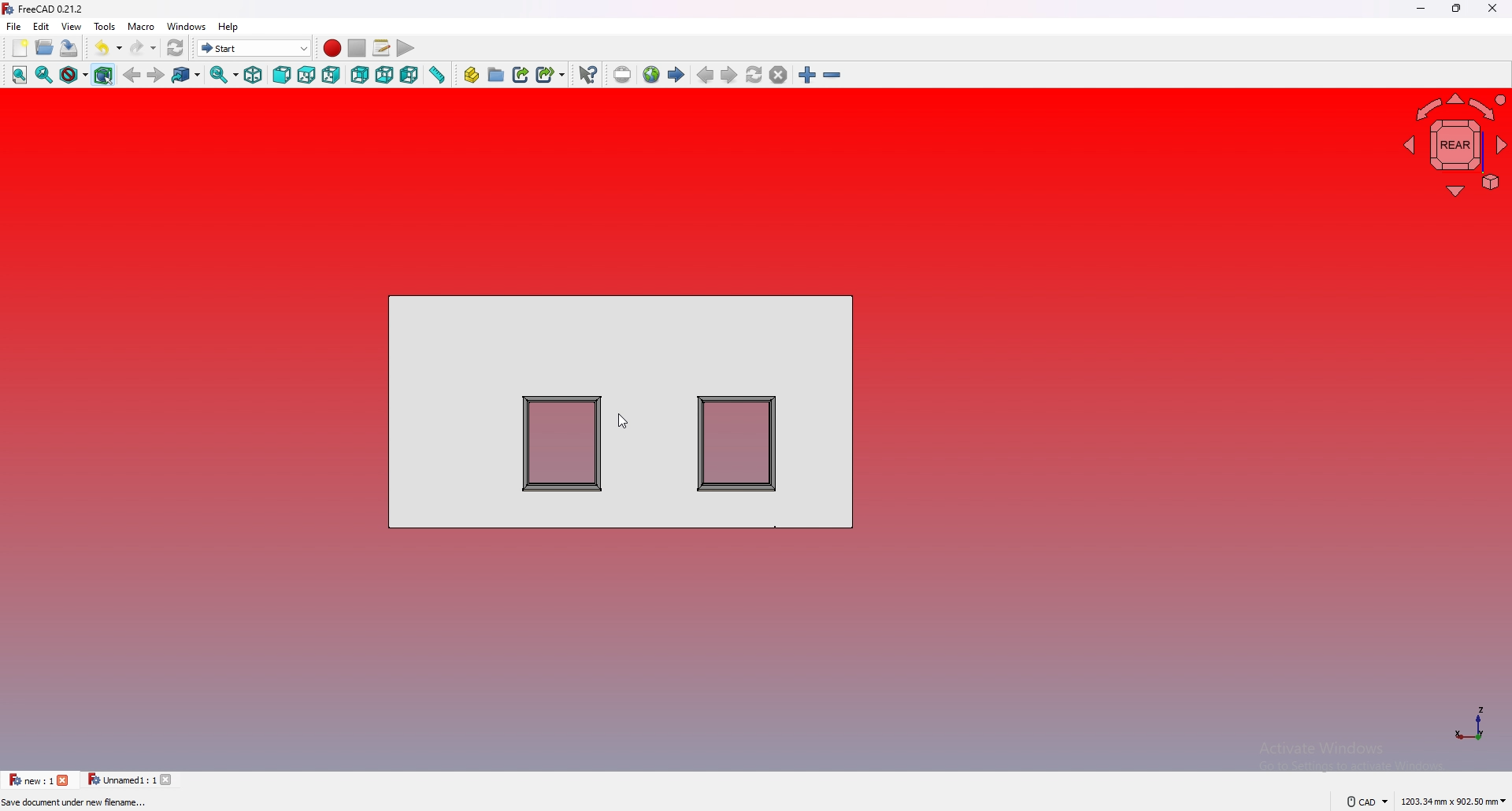  What do you see at coordinates (496, 75) in the screenshot?
I see `create group` at bounding box center [496, 75].